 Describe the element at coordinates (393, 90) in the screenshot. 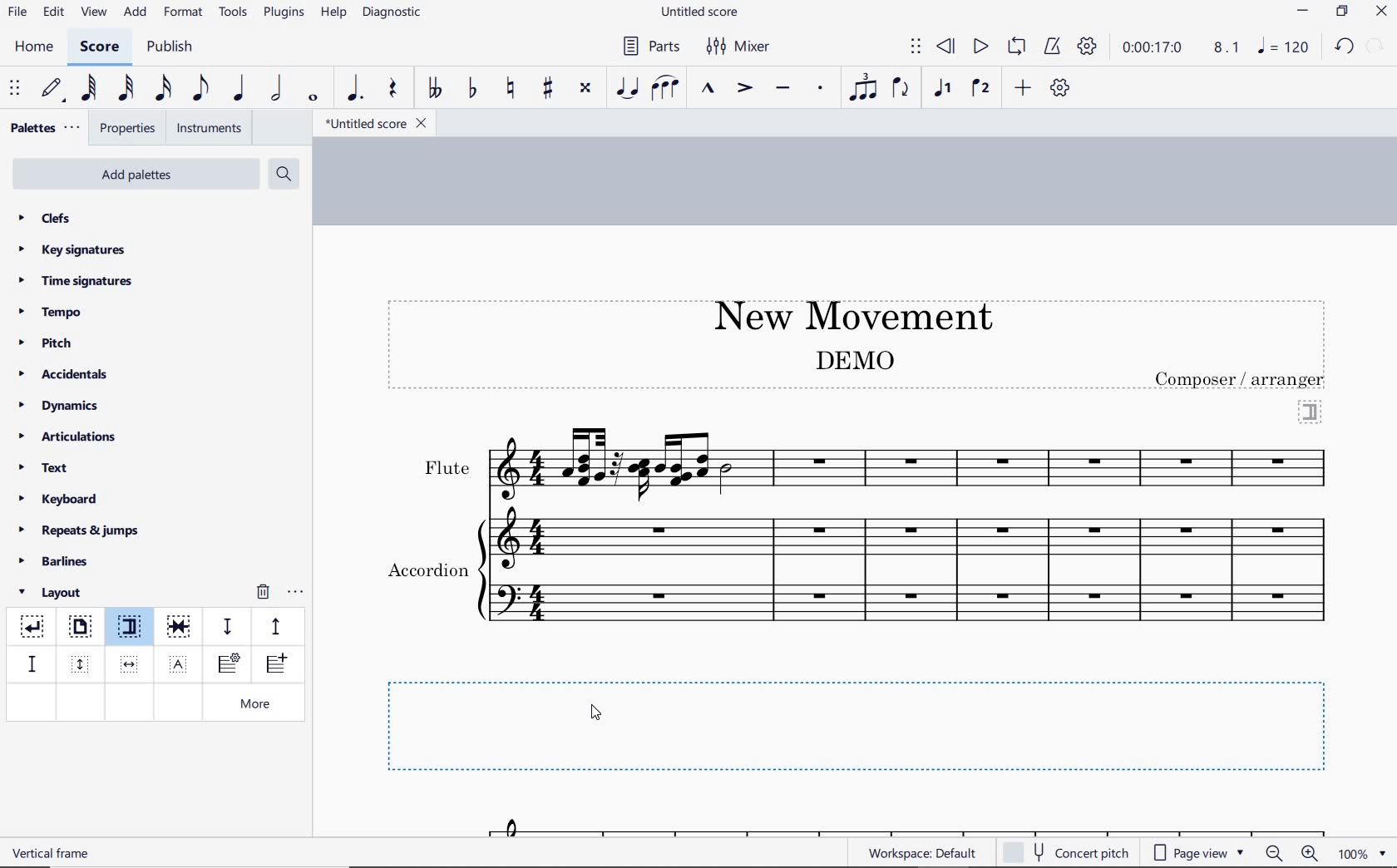

I see `rest` at that location.